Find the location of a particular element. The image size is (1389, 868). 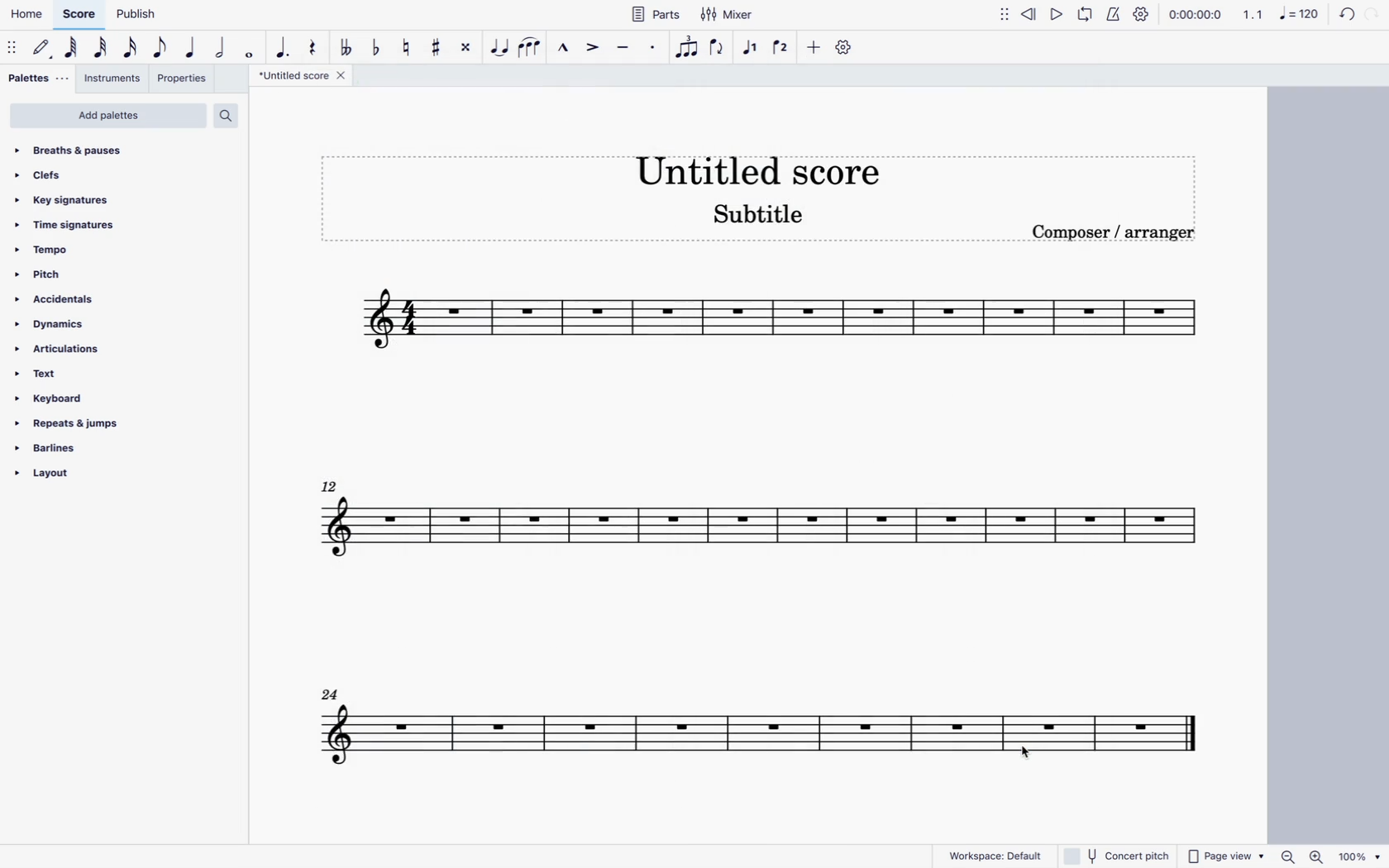

add palettes is located at coordinates (107, 117).